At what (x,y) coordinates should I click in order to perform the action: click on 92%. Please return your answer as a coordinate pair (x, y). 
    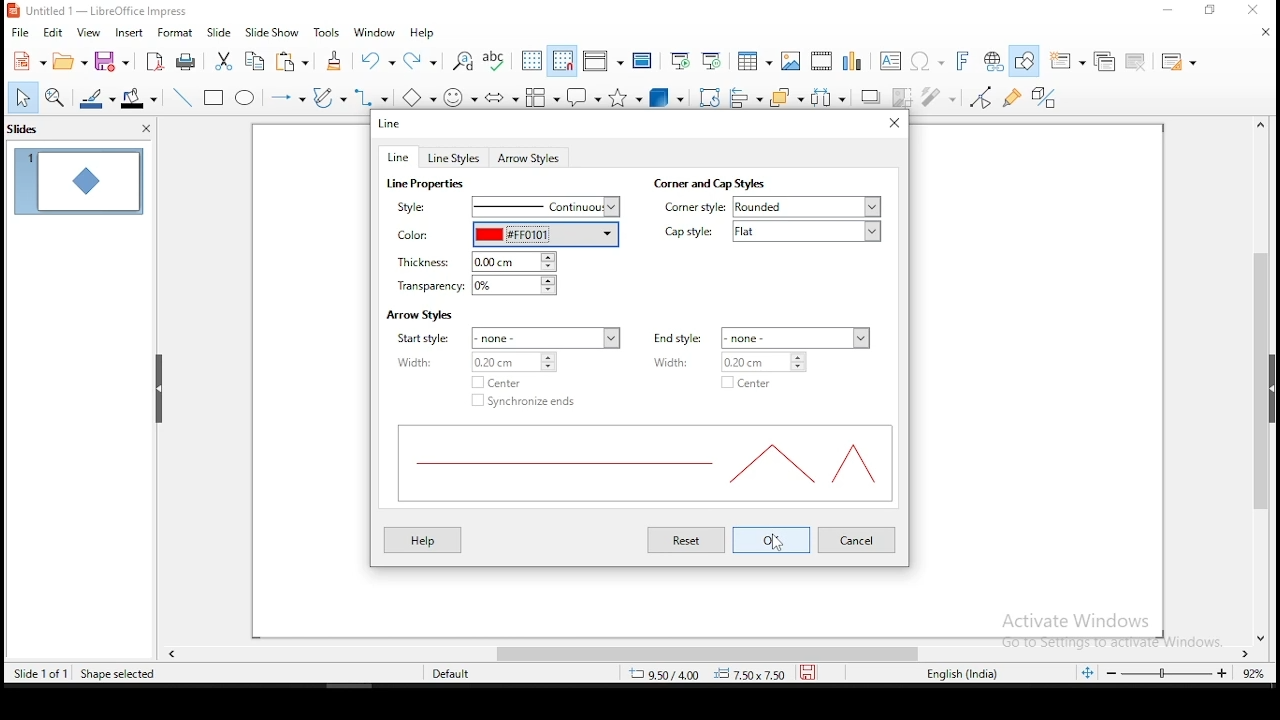
    Looking at the image, I should click on (1258, 673).